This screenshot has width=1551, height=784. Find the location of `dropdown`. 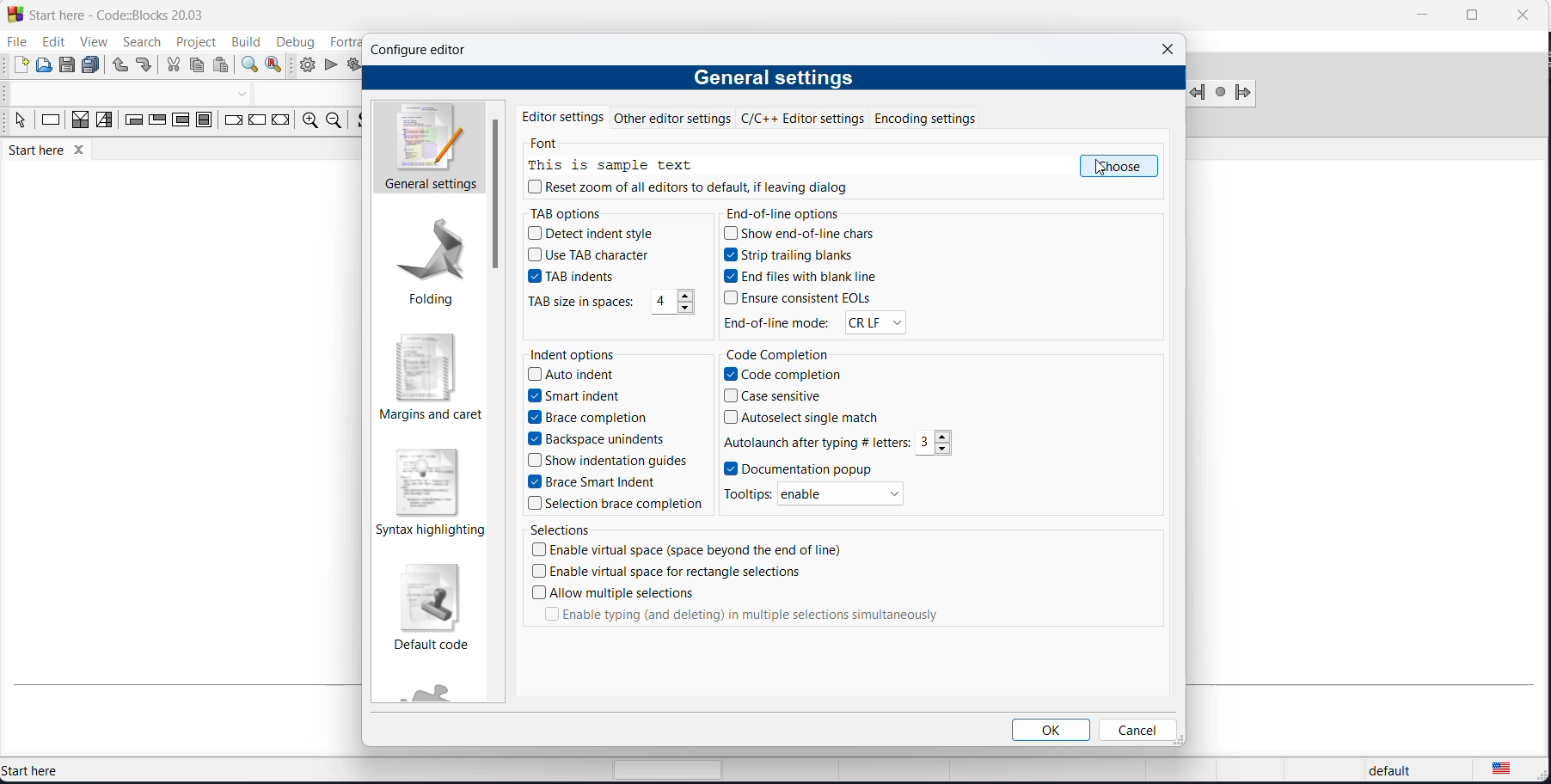

dropdown is located at coordinates (245, 94).